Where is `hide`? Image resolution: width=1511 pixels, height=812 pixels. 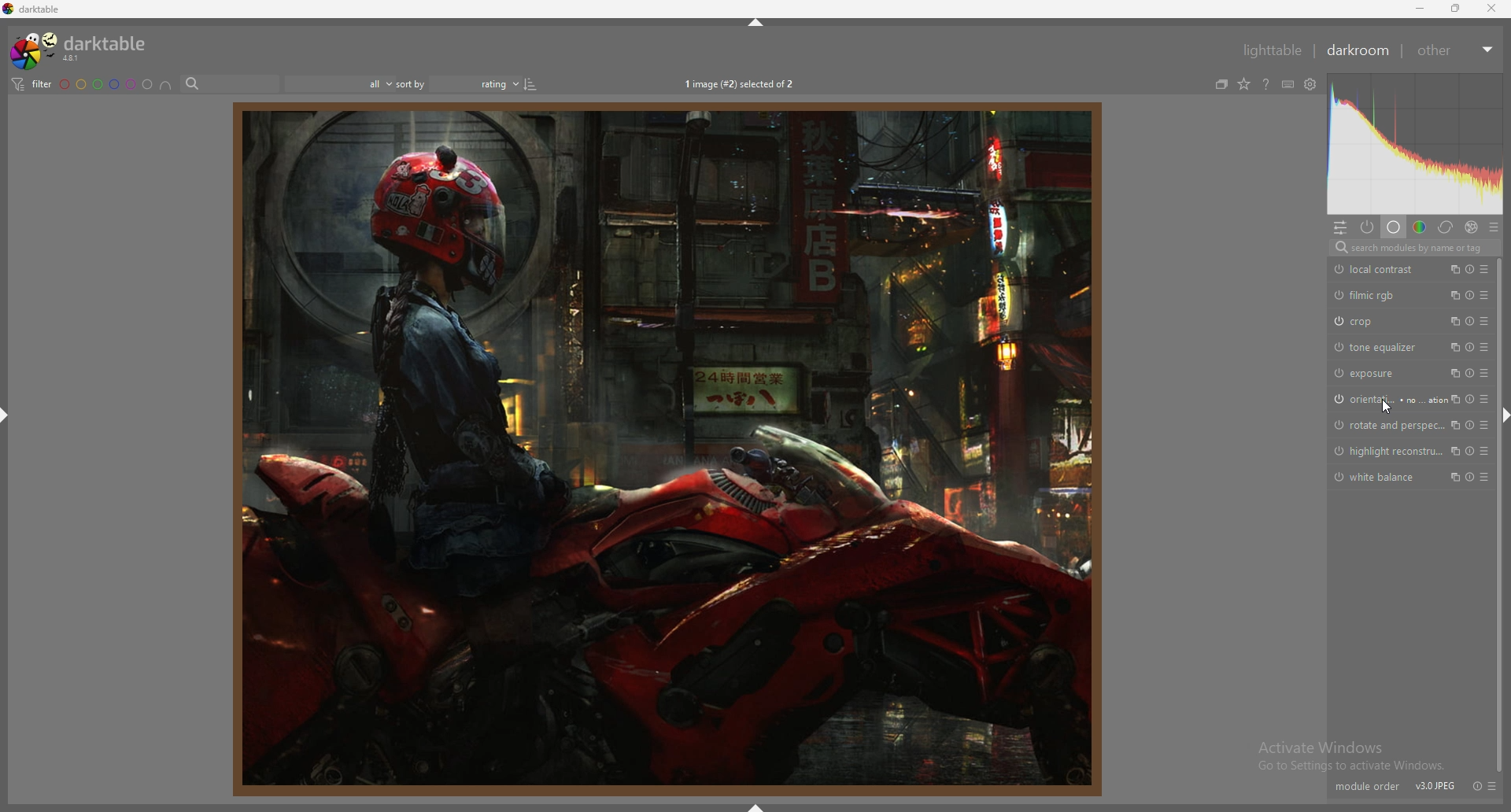 hide is located at coordinates (755, 20).